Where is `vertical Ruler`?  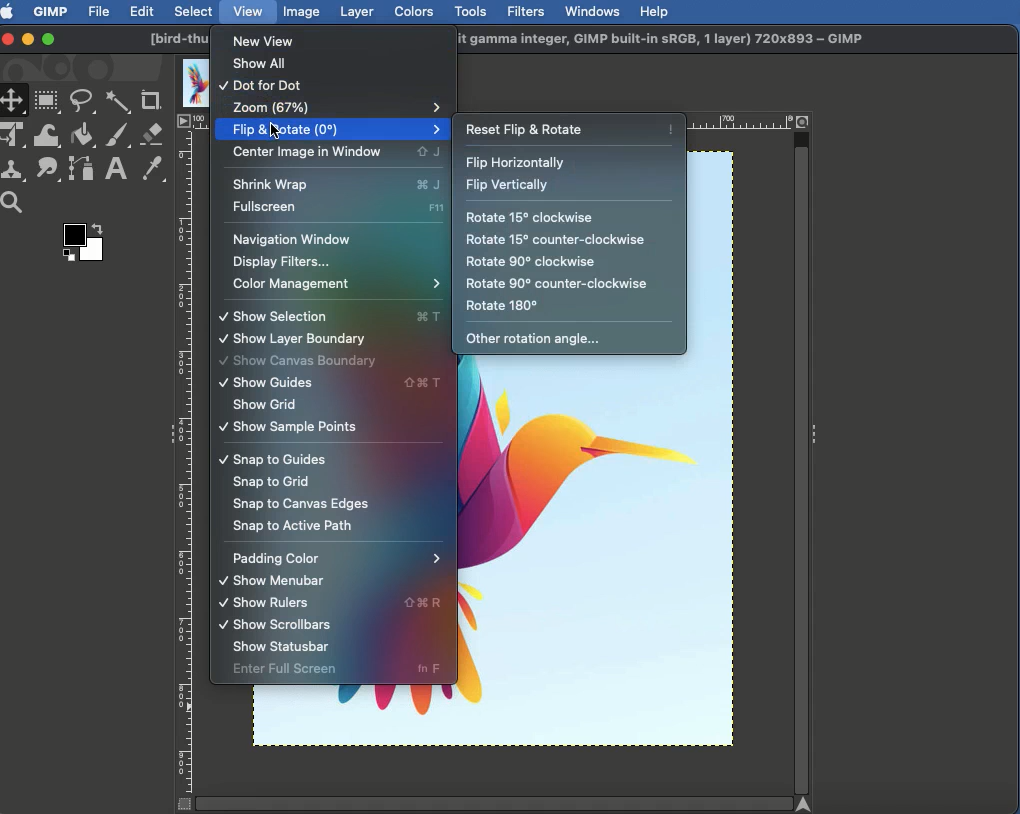
vertical Ruler is located at coordinates (186, 462).